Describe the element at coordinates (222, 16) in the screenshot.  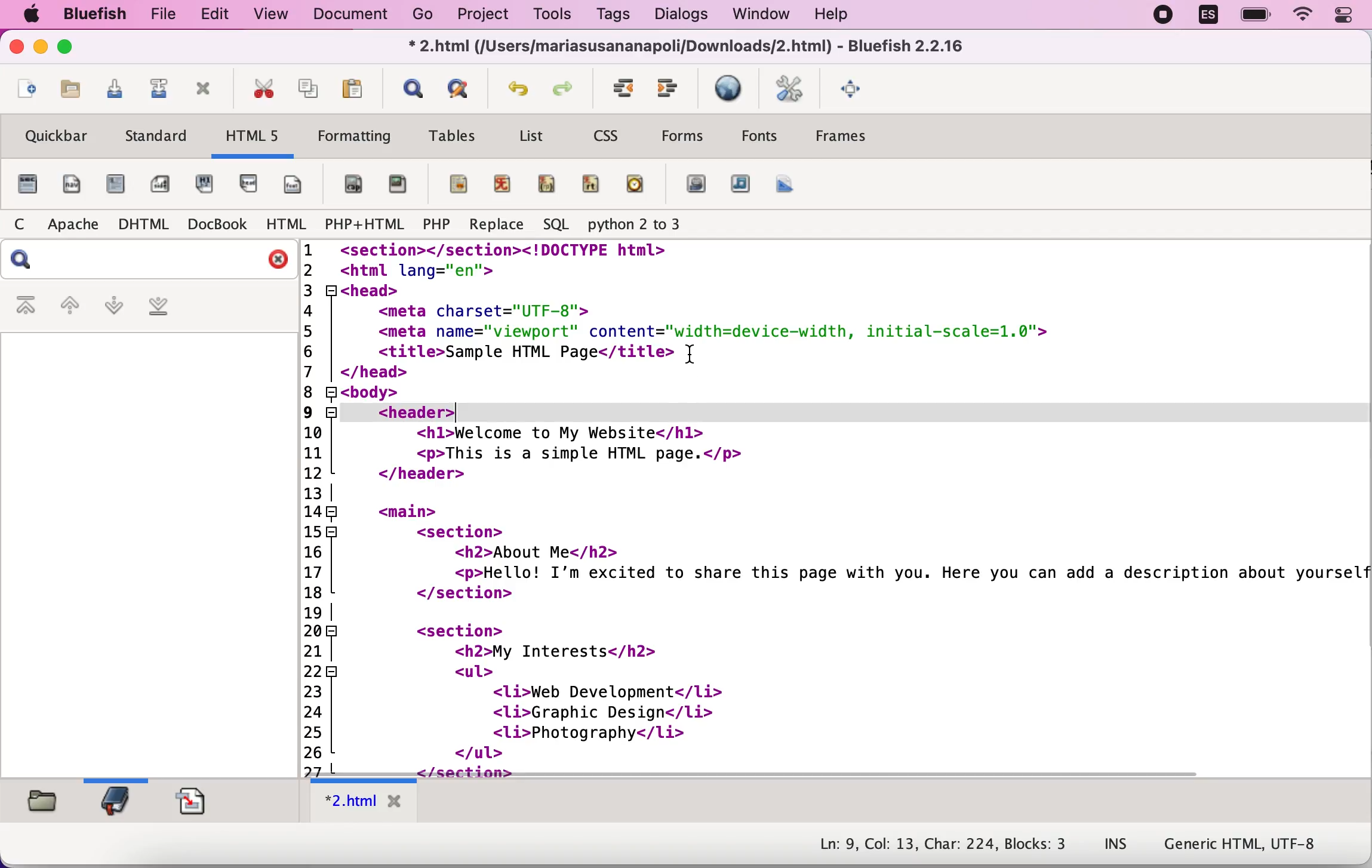
I see `edit` at that location.